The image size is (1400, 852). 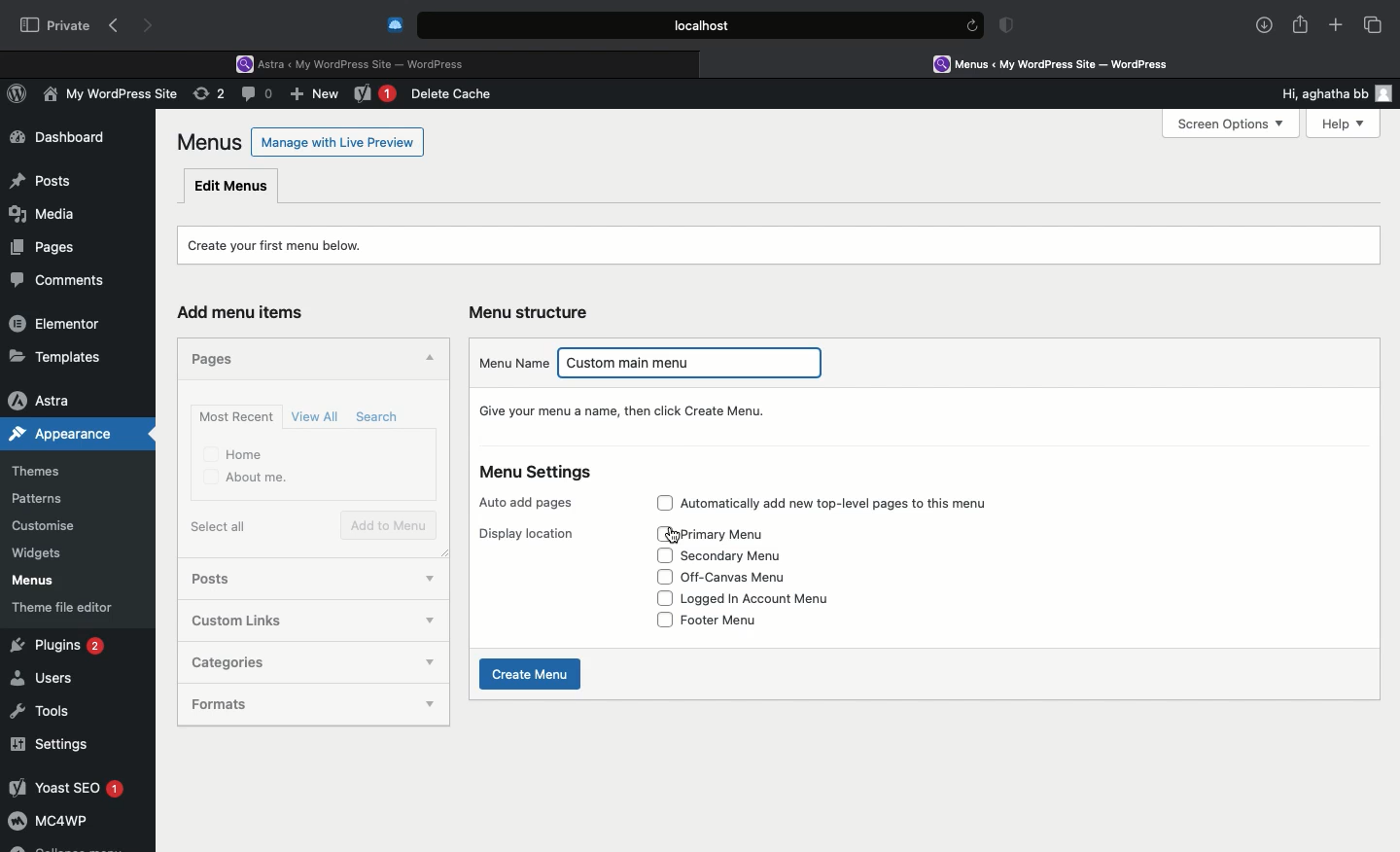 What do you see at coordinates (260, 93) in the screenshot?
I see `Comment (0)` at bounding box center [260, 93].